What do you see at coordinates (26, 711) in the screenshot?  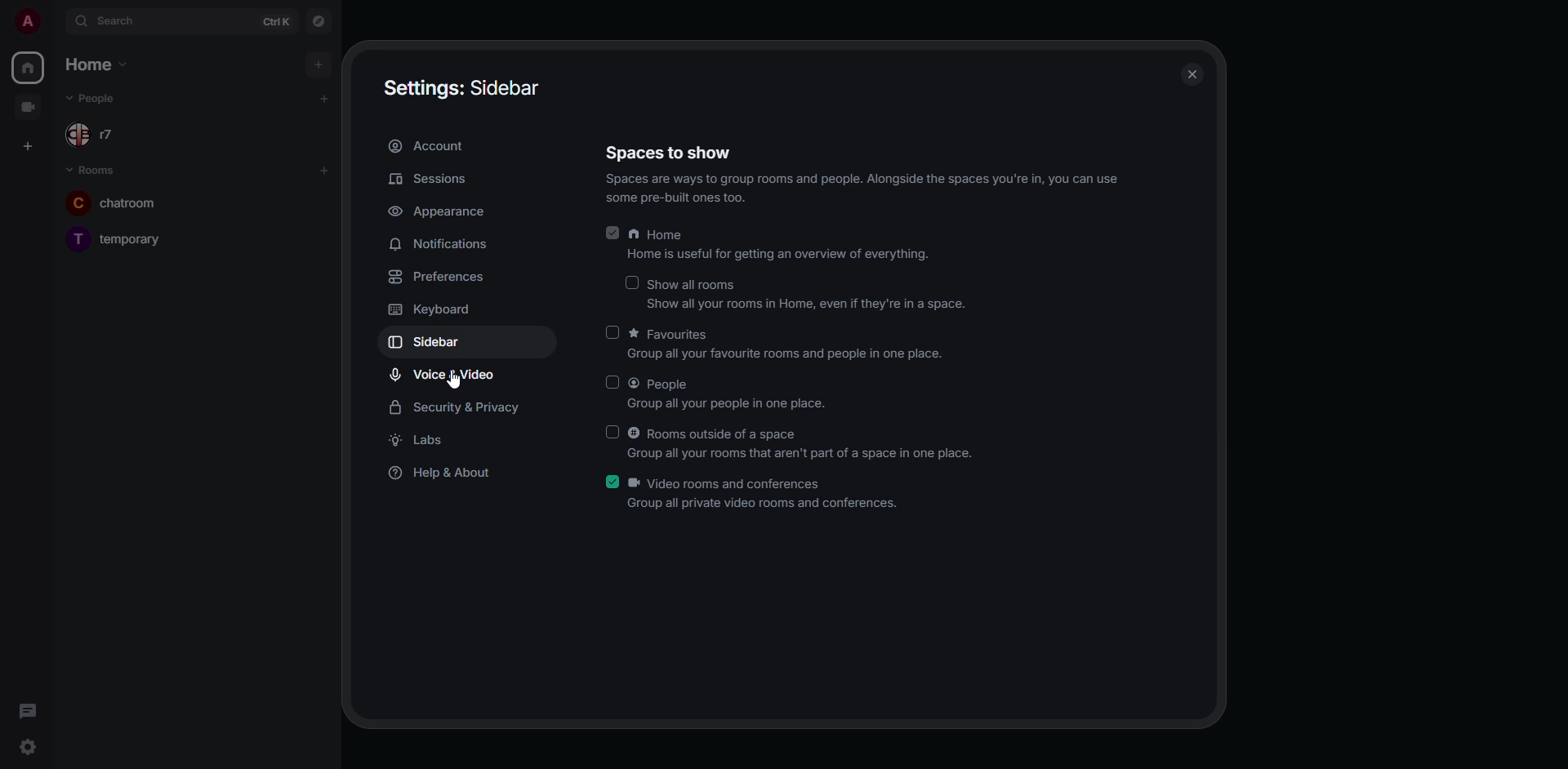 I see `threads` at bounding box center [26, 711].